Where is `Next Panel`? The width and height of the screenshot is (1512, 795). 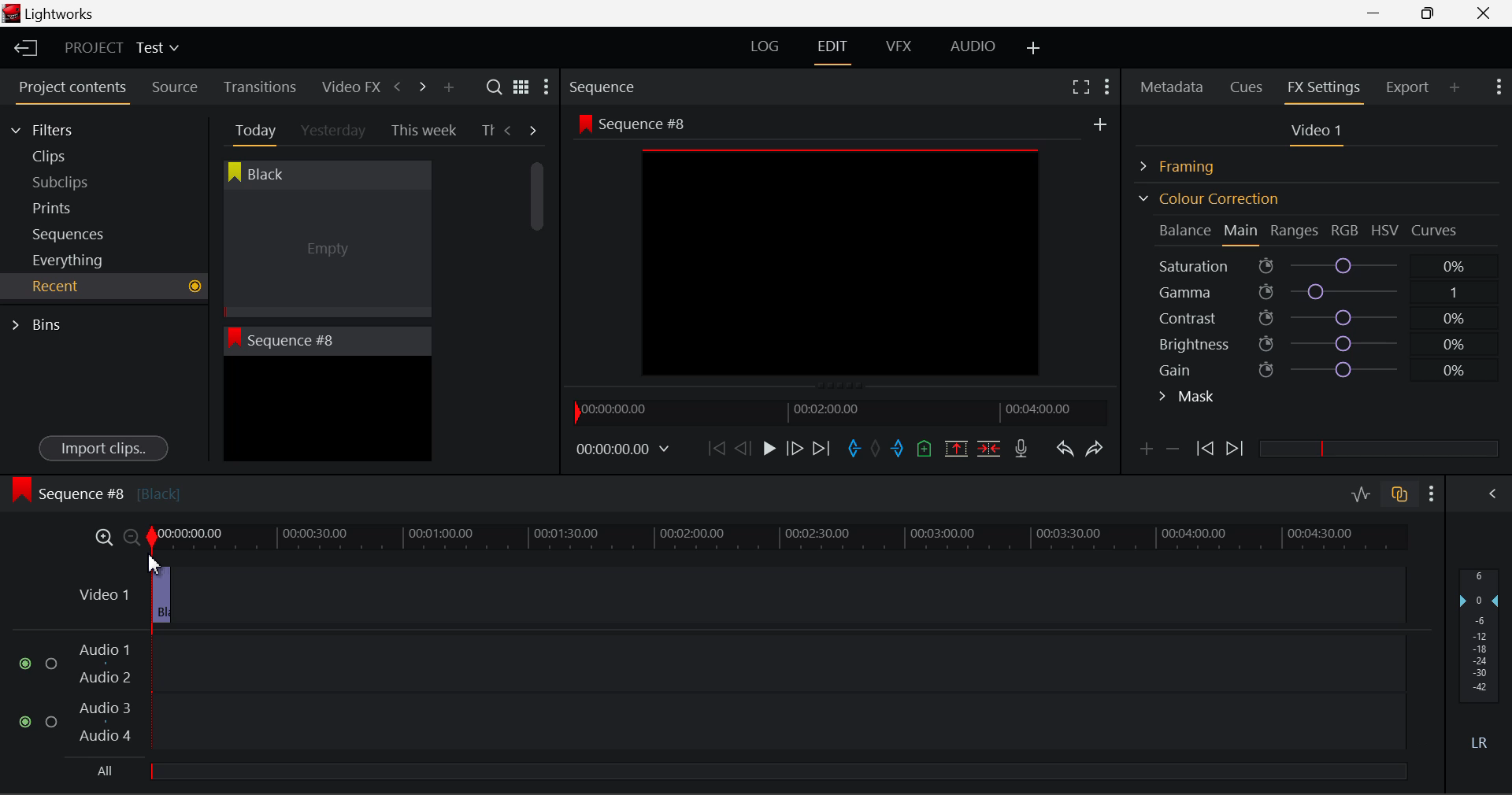 Next Panel is located at coordinates (420, 86).